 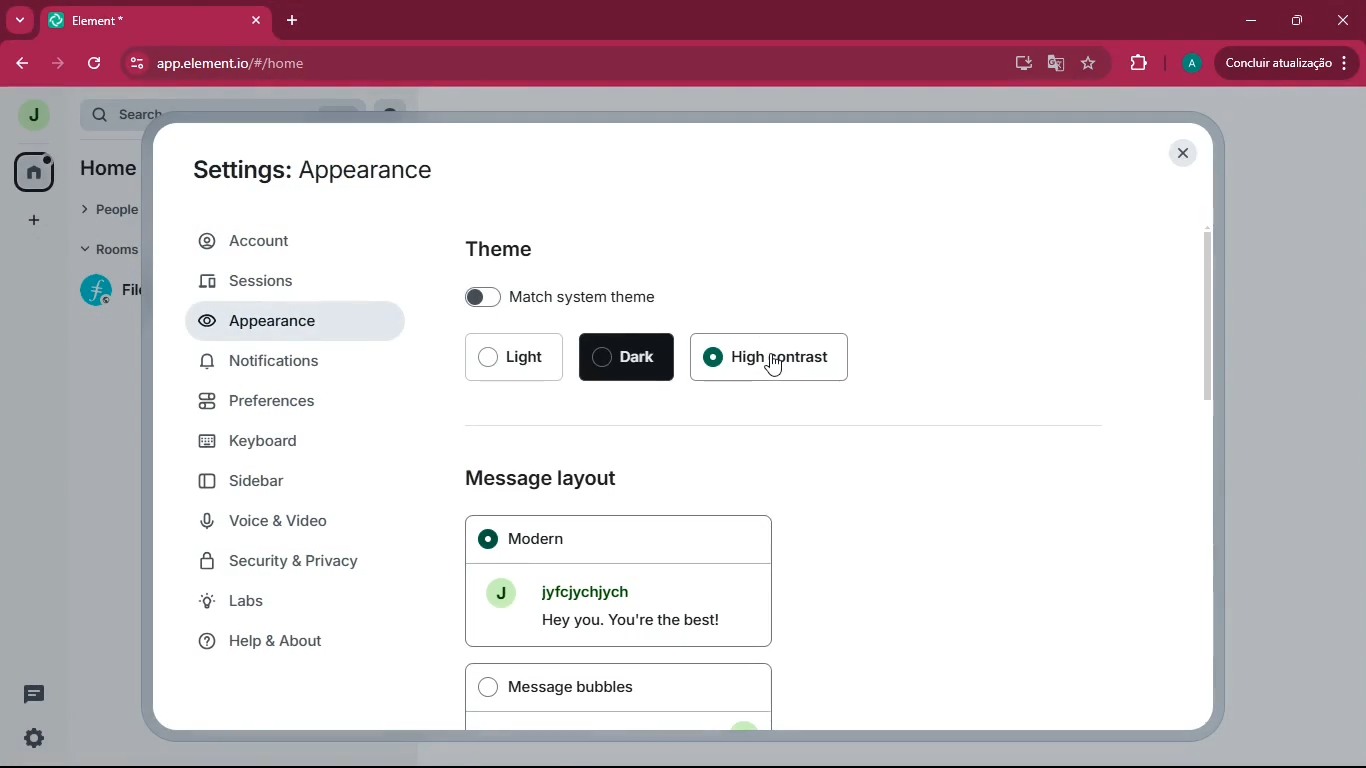 I want to click on add tab, so click(x=289, y=19).